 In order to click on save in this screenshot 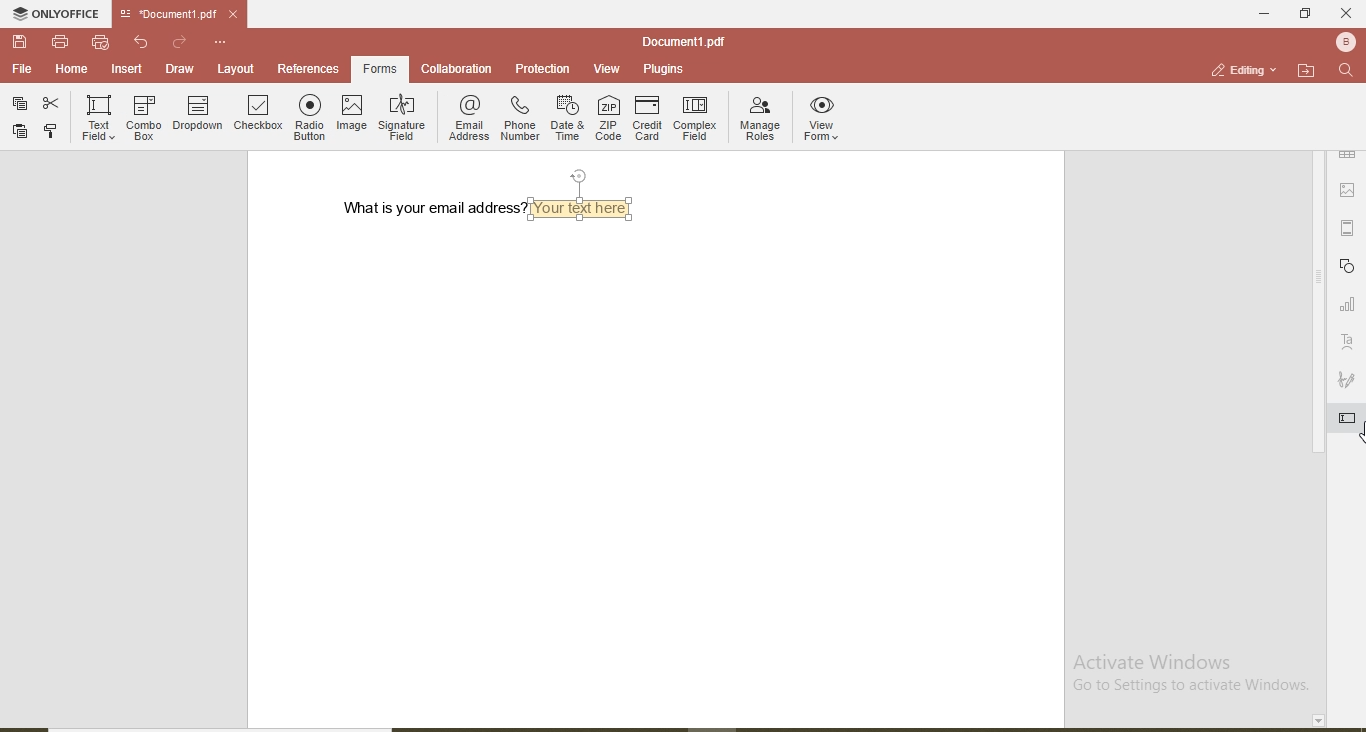, I will do `click(22, 43)`.